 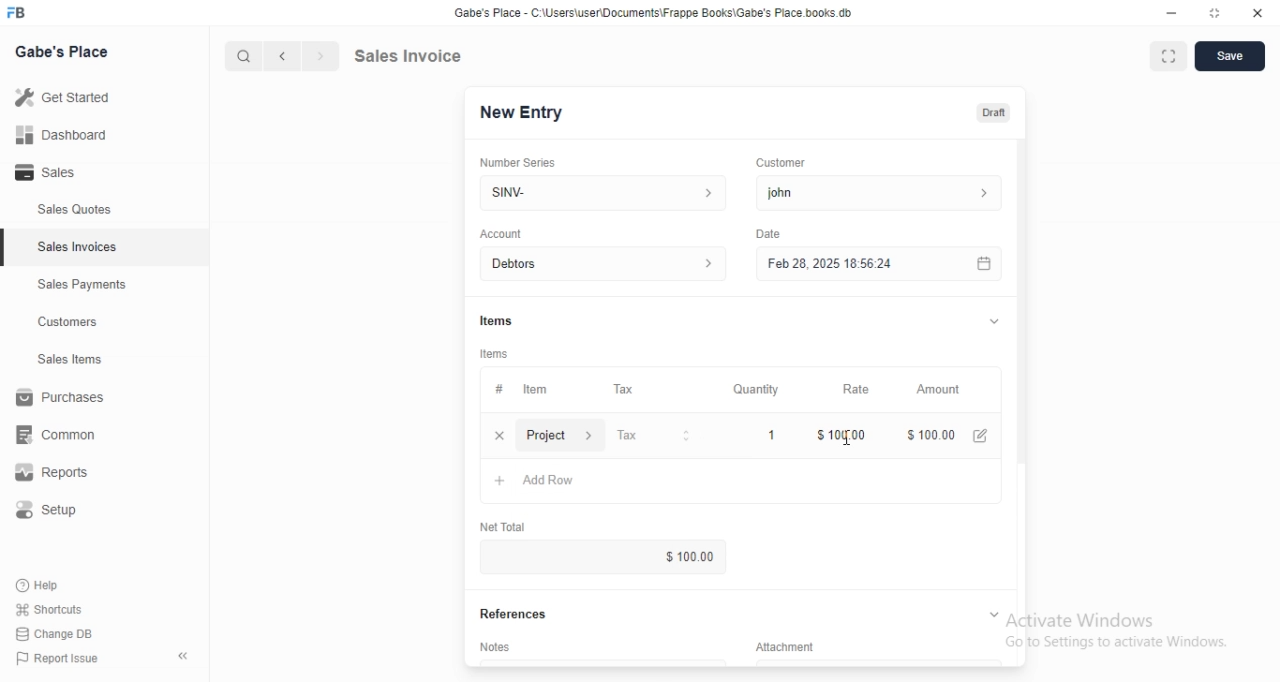 What do you see at coordinates (652, 436) in the screenshot?
I see `Tax &` at bounding box center [652, 436].